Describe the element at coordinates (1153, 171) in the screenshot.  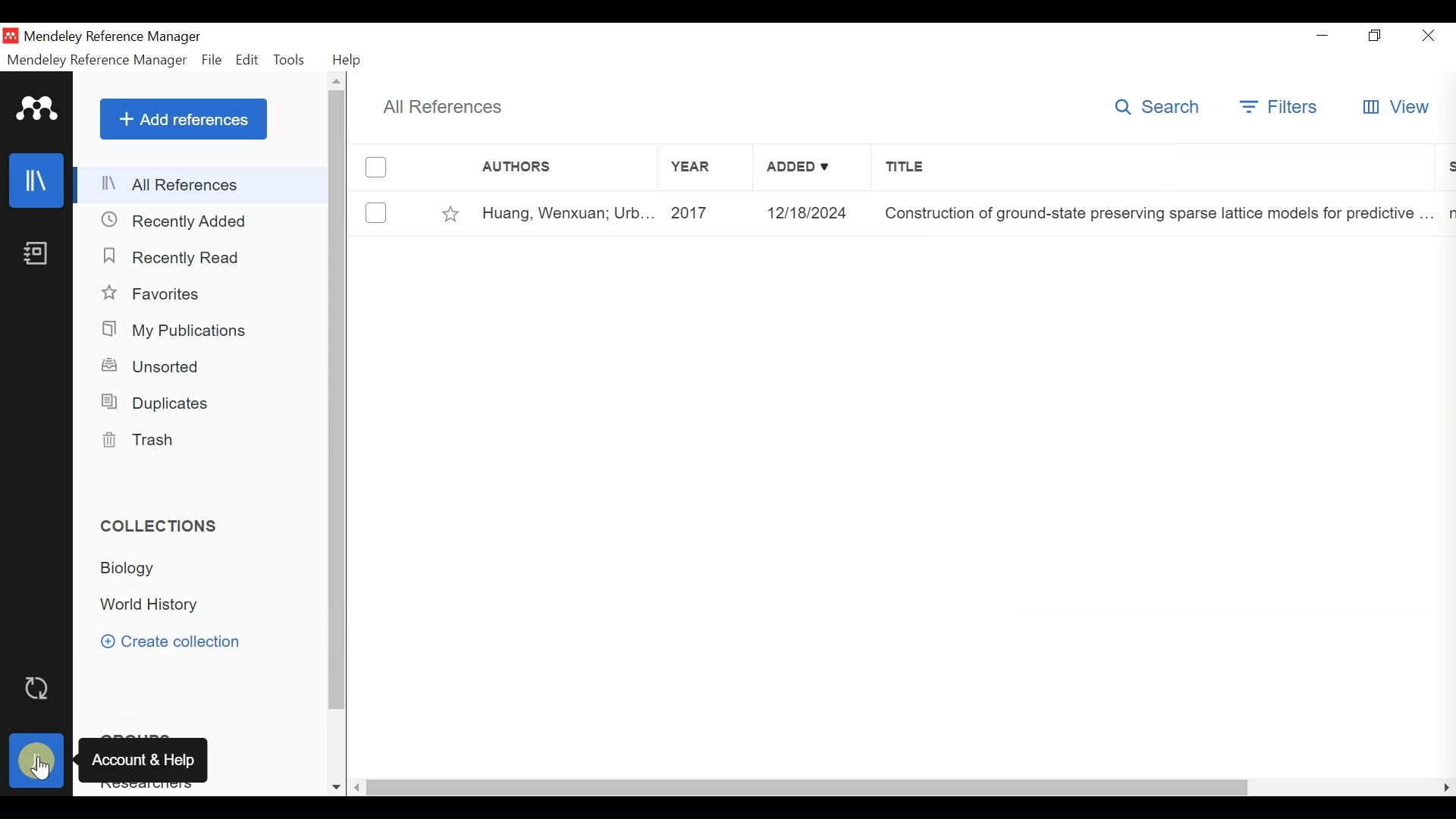
I see `Title` at that location.